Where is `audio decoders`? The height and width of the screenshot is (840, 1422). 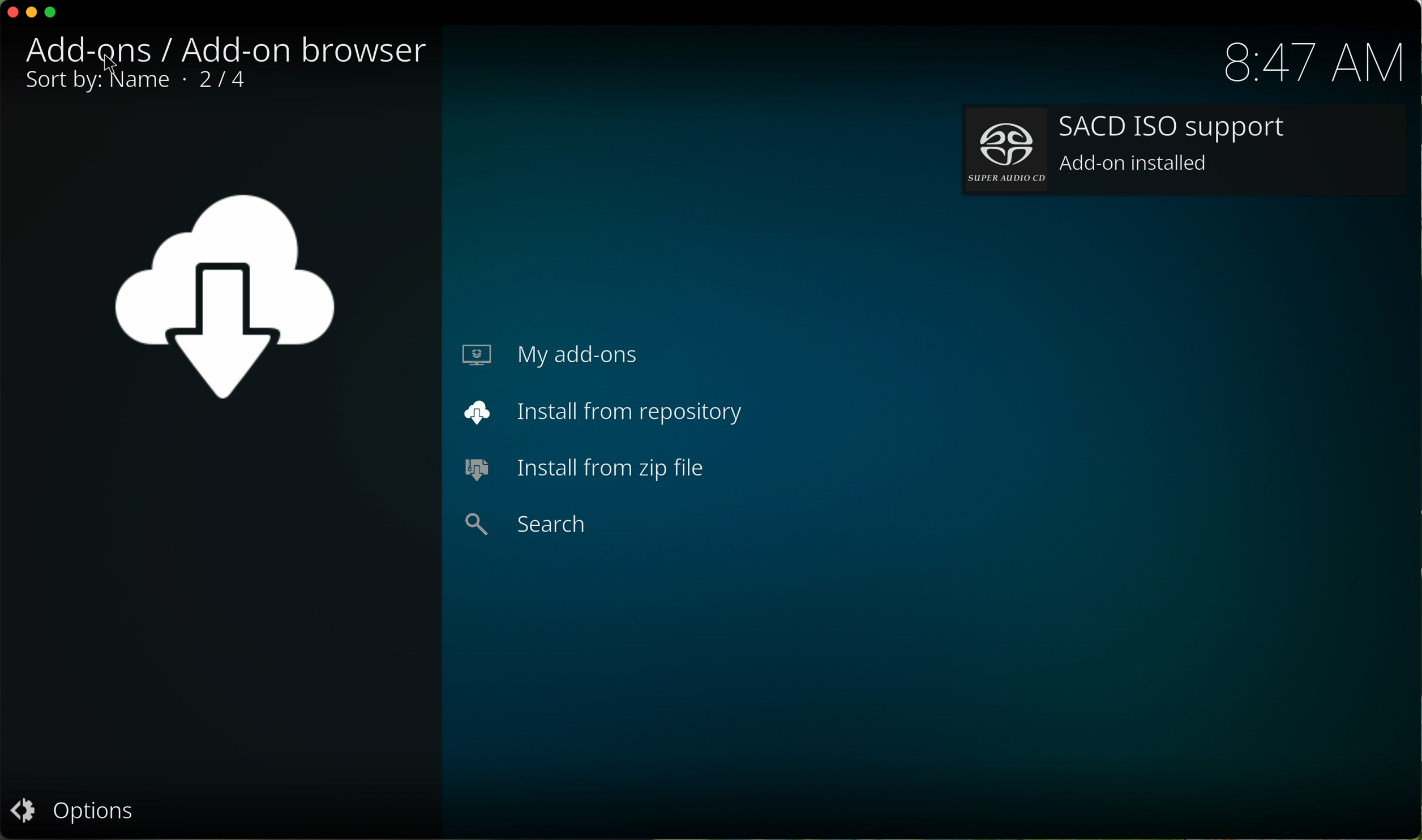
audio decoders is located at coordinates (303, 48).